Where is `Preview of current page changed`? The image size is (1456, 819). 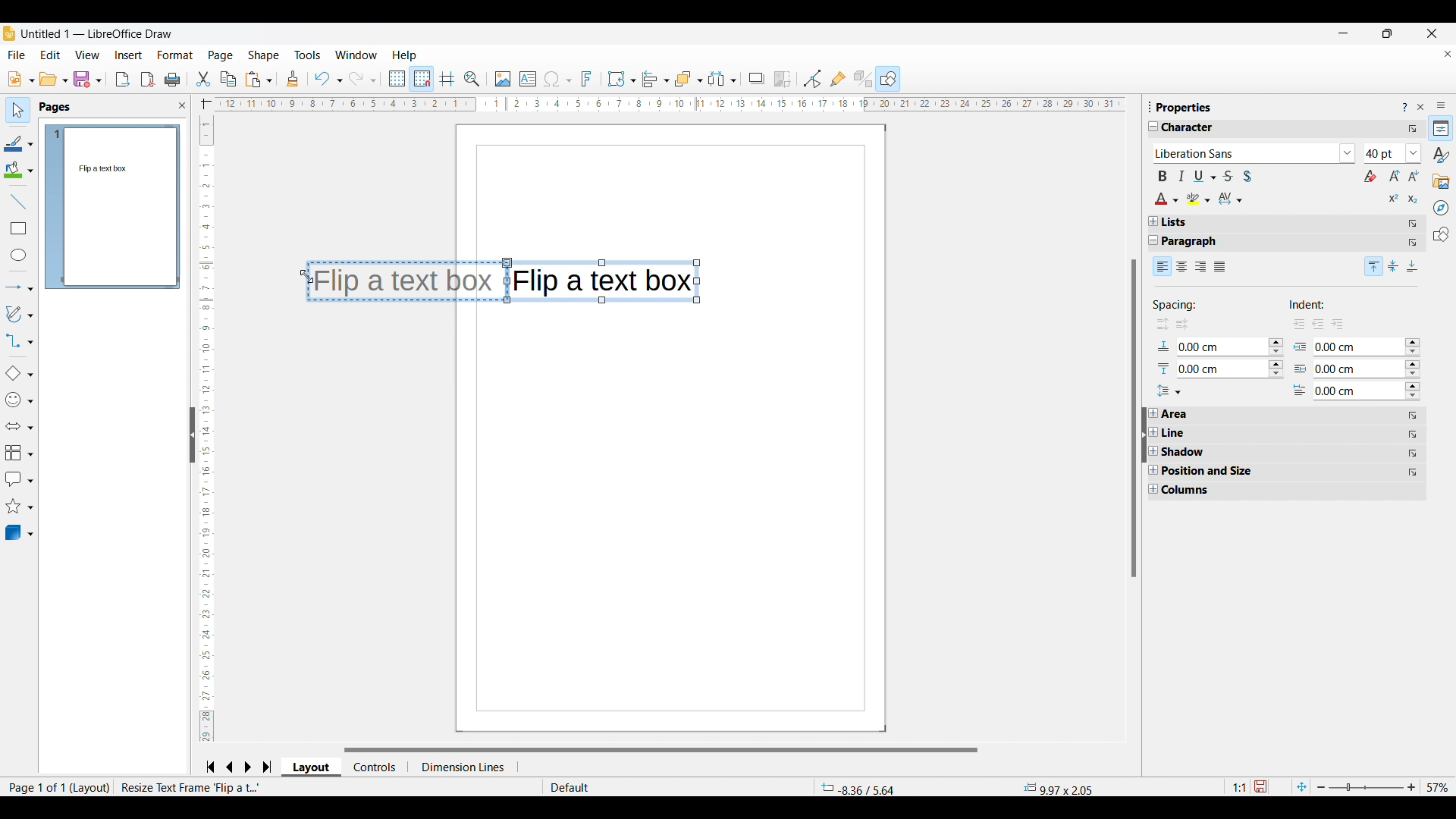
Preview of current page changed is located at coordinates (120, 206).